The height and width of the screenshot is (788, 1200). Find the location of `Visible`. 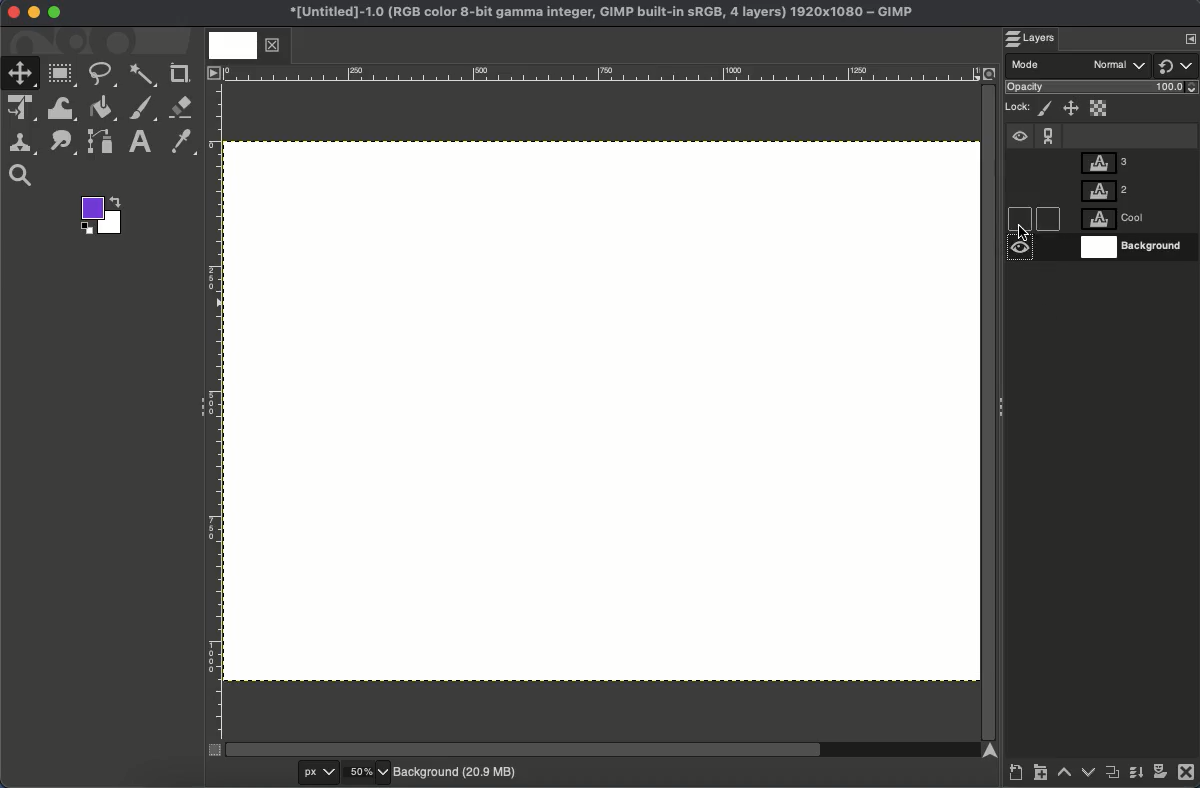

Visible is located at coordinates (1018, 140).